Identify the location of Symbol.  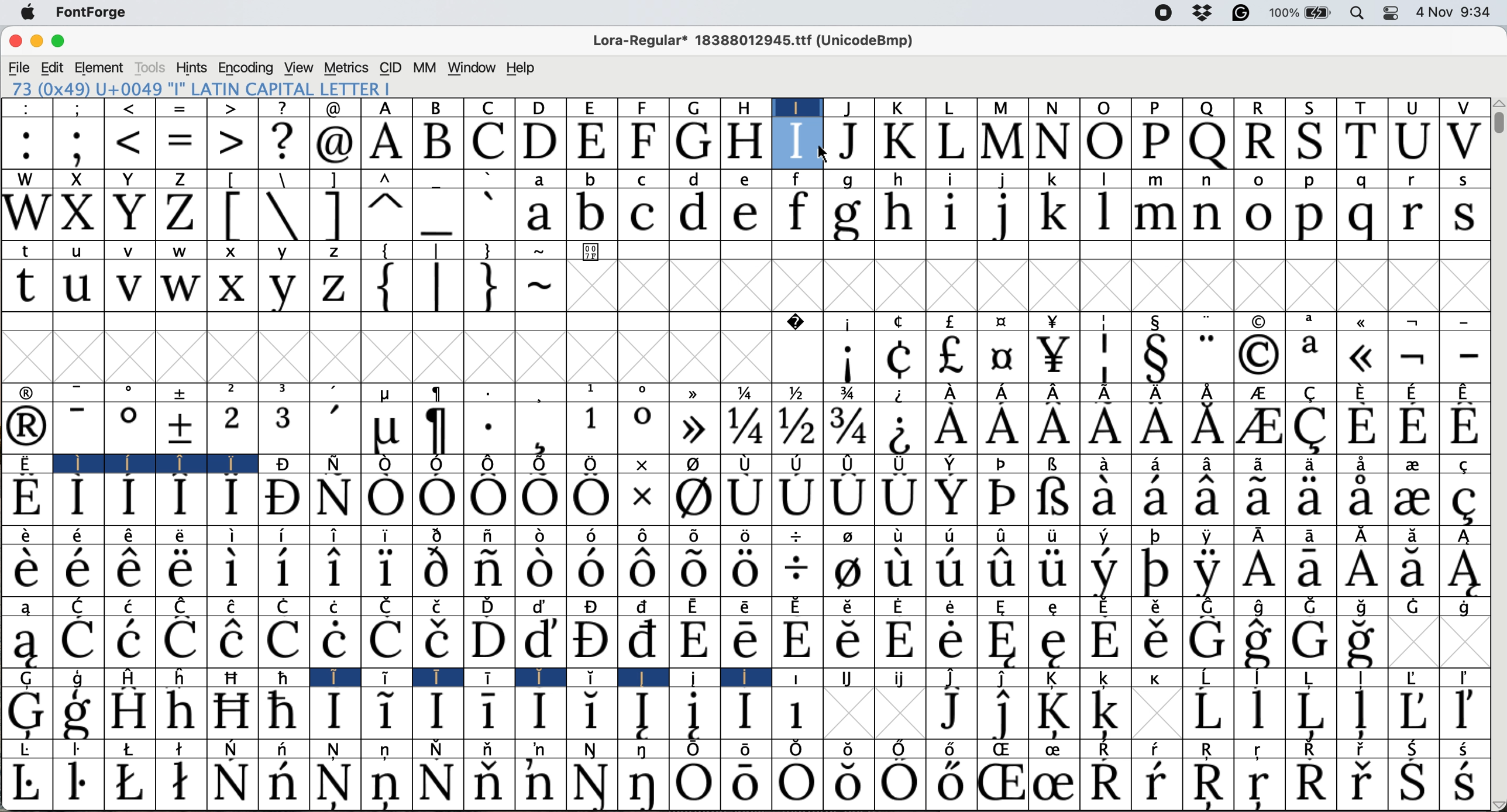
(388, 465).